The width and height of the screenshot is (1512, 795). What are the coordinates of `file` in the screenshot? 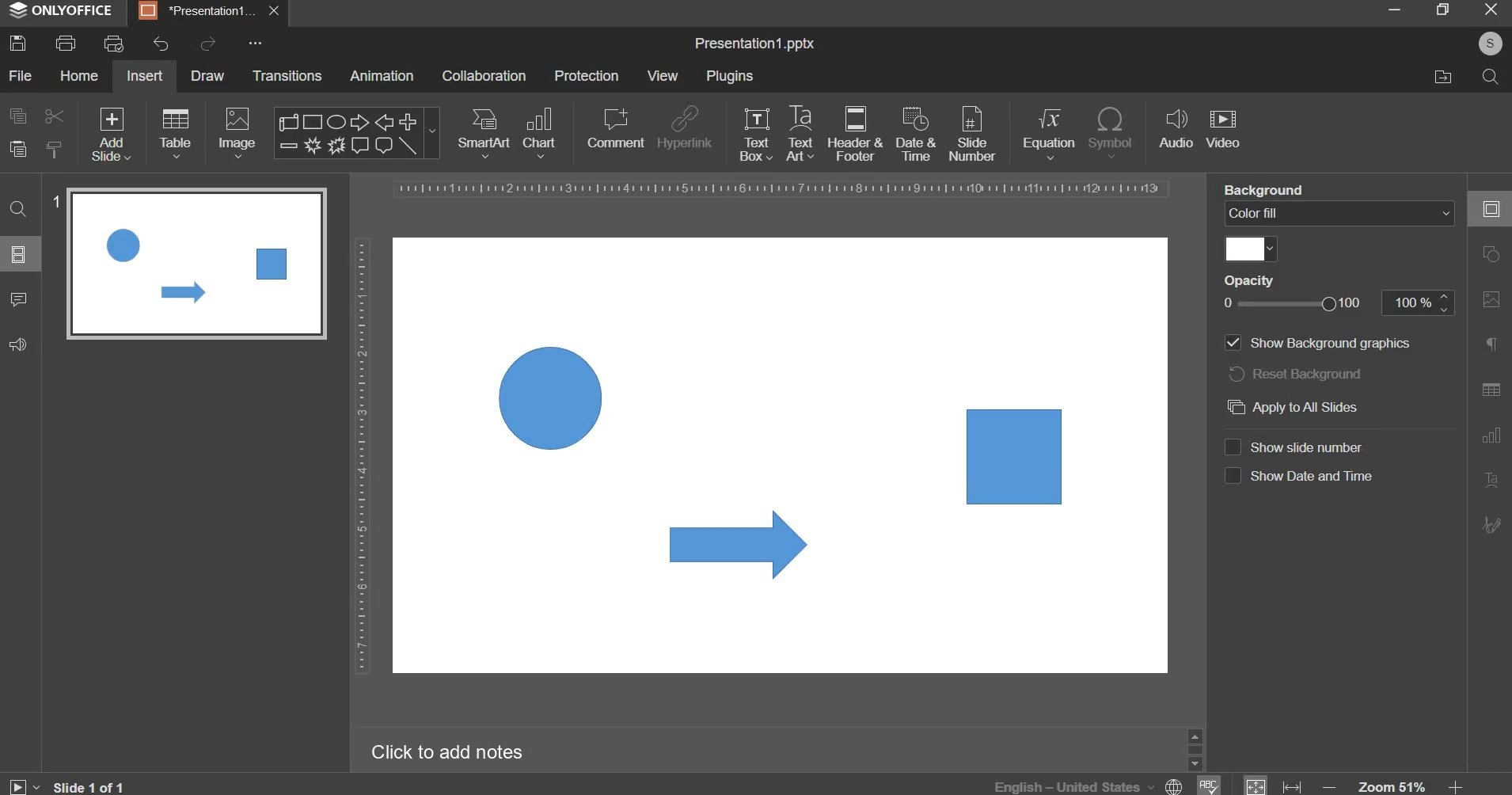 It's located at (20, 75).